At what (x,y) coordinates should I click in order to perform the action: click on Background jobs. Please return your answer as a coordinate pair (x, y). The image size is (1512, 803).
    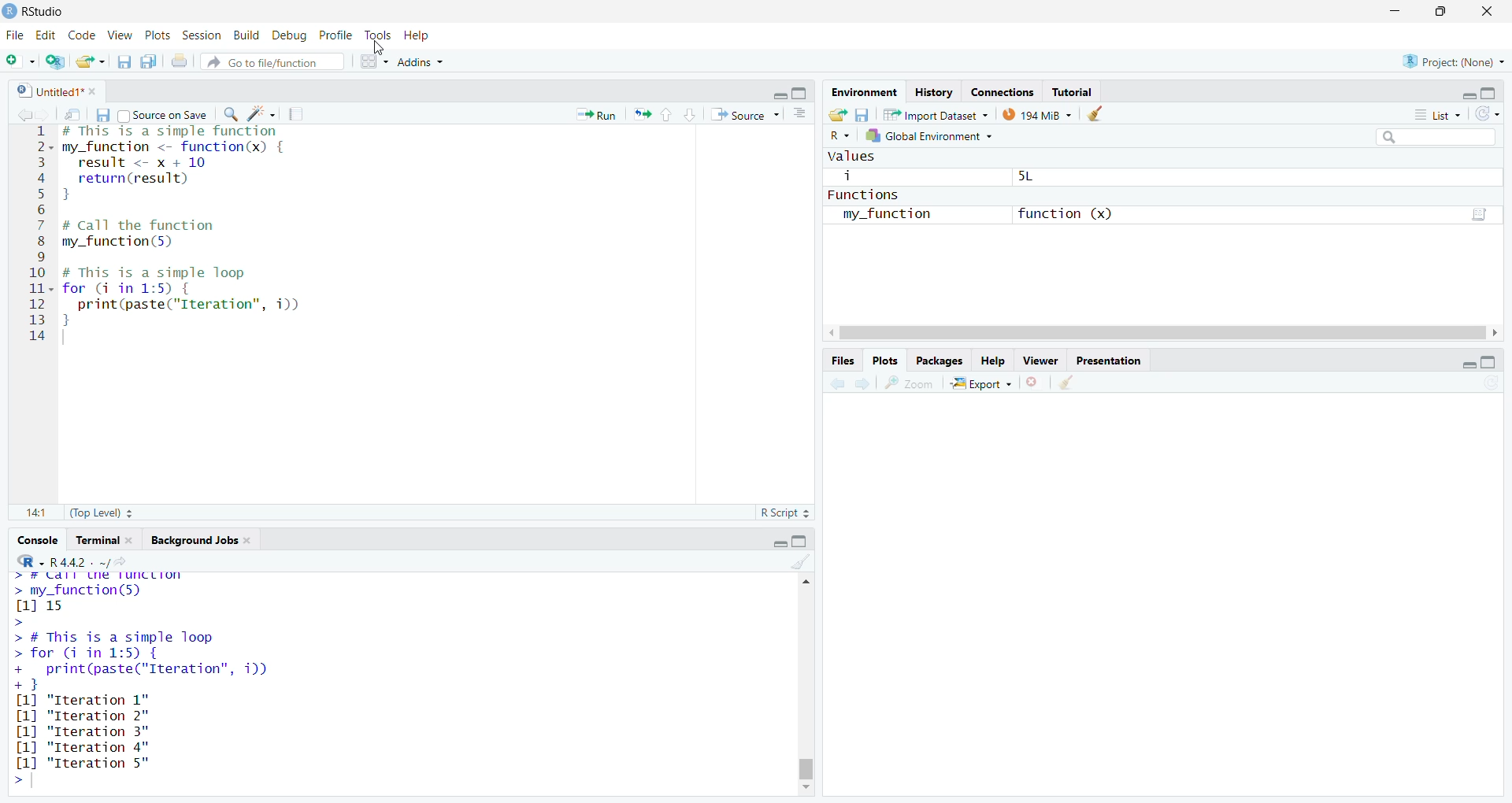
    Looking at the image, I should click on (194, 540).